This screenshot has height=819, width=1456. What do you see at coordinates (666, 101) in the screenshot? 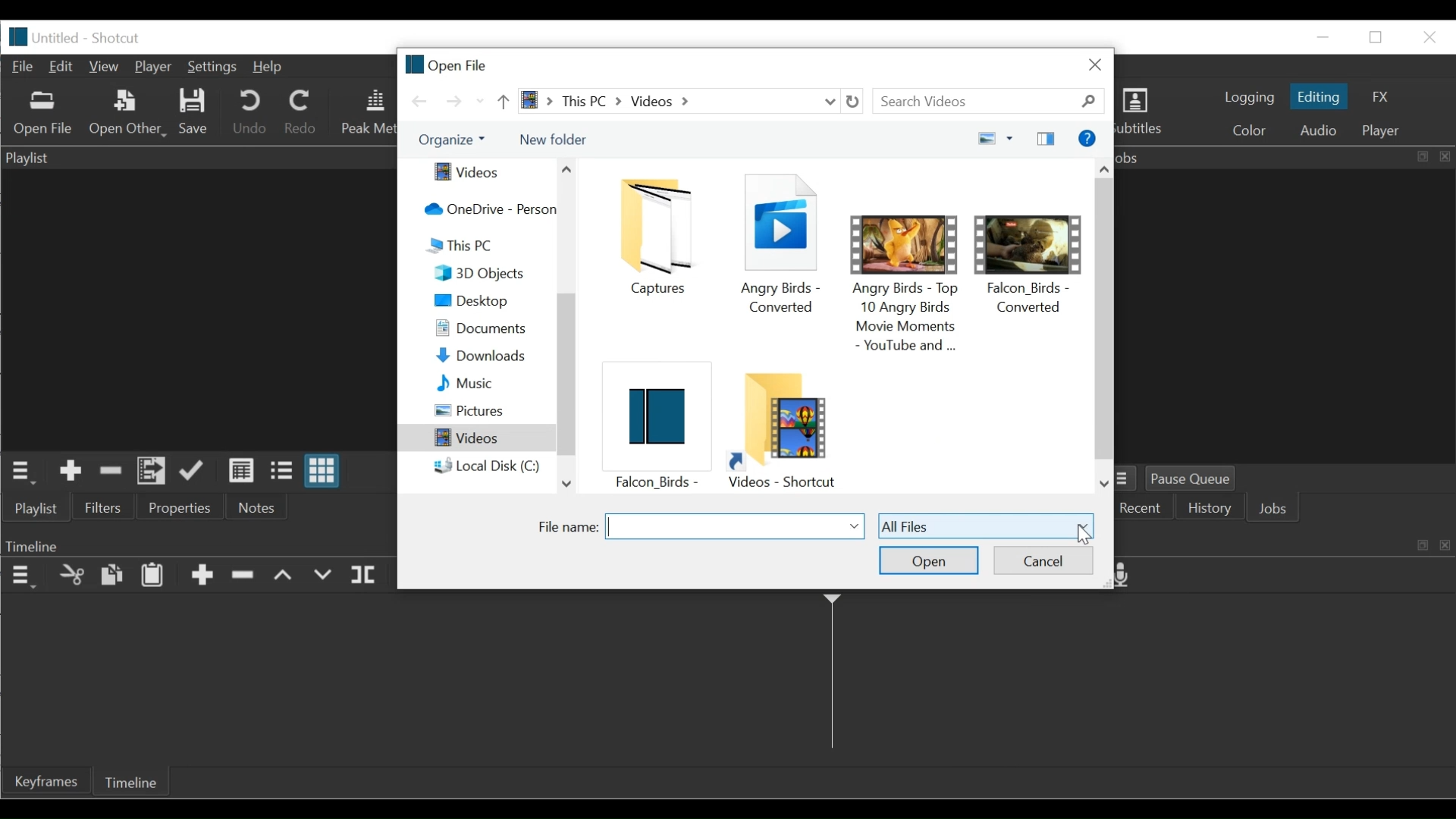
I see `> this PC > videos >` at bounding box center [666, 101].